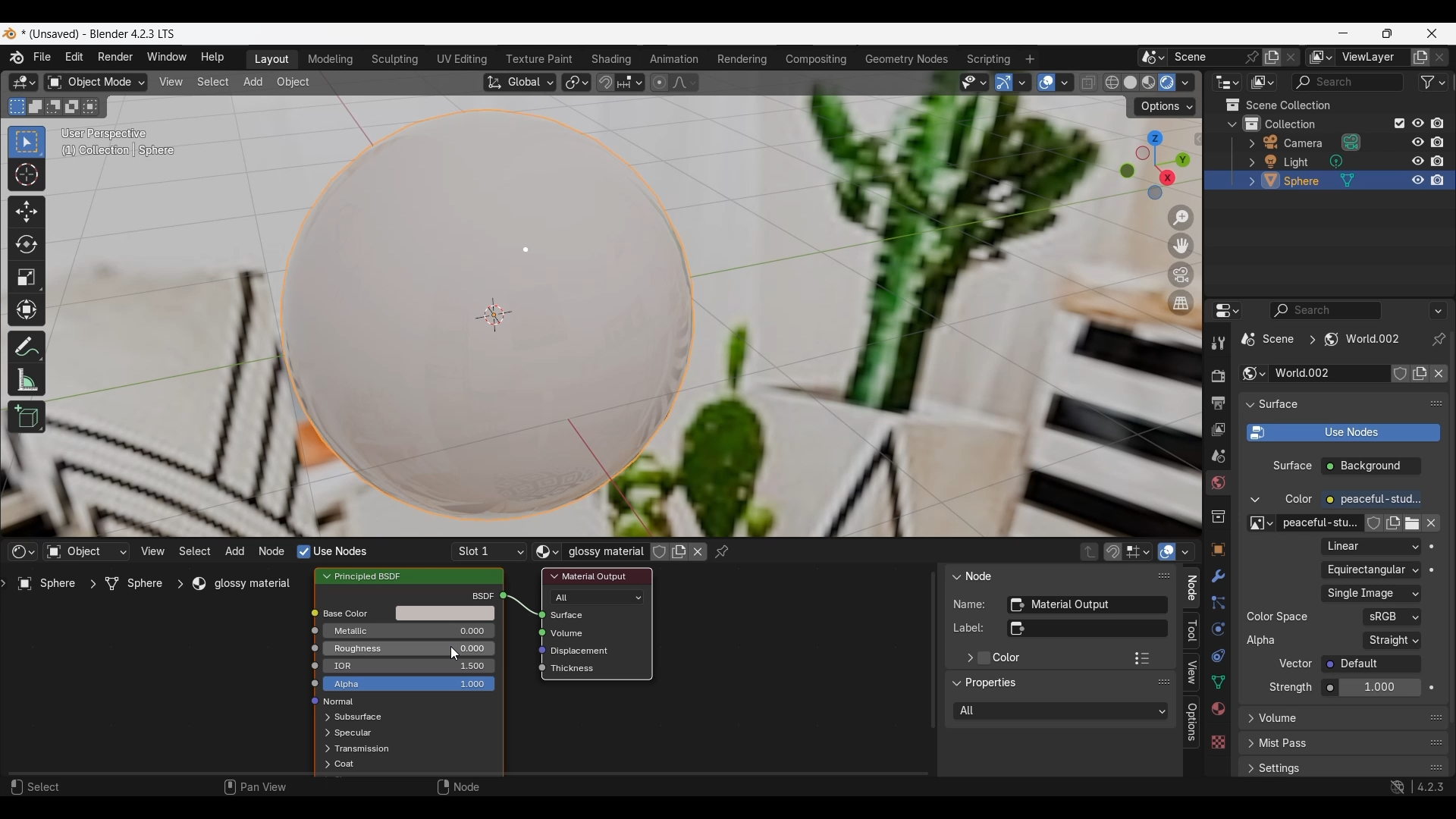  What do you see at coordinates (445, 613) in the screenshot?
I see `Base color options` at bounding box center [445, 613].